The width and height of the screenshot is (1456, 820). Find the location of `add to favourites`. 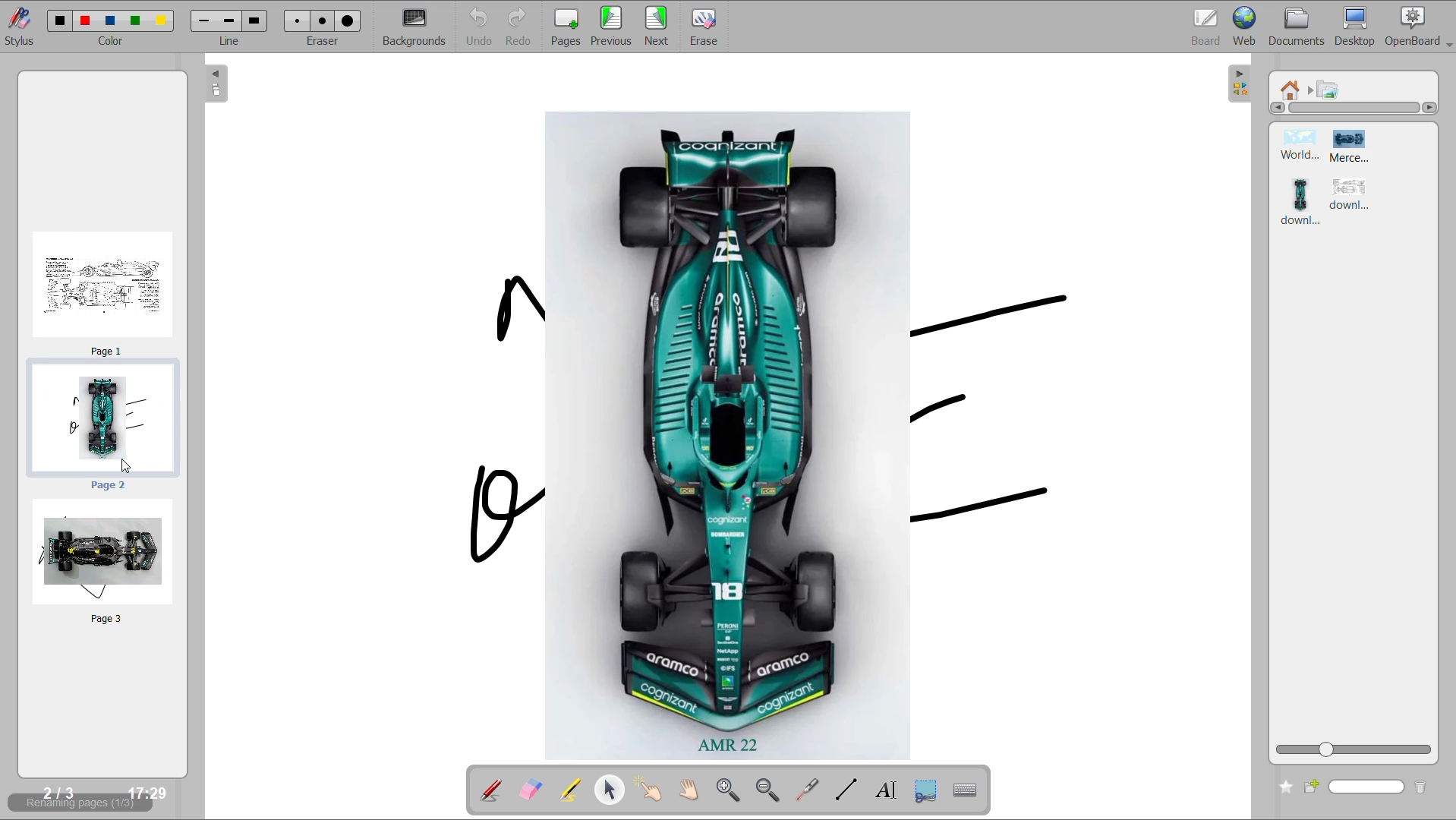

add to favourites is located at coordinates (1283, 785).